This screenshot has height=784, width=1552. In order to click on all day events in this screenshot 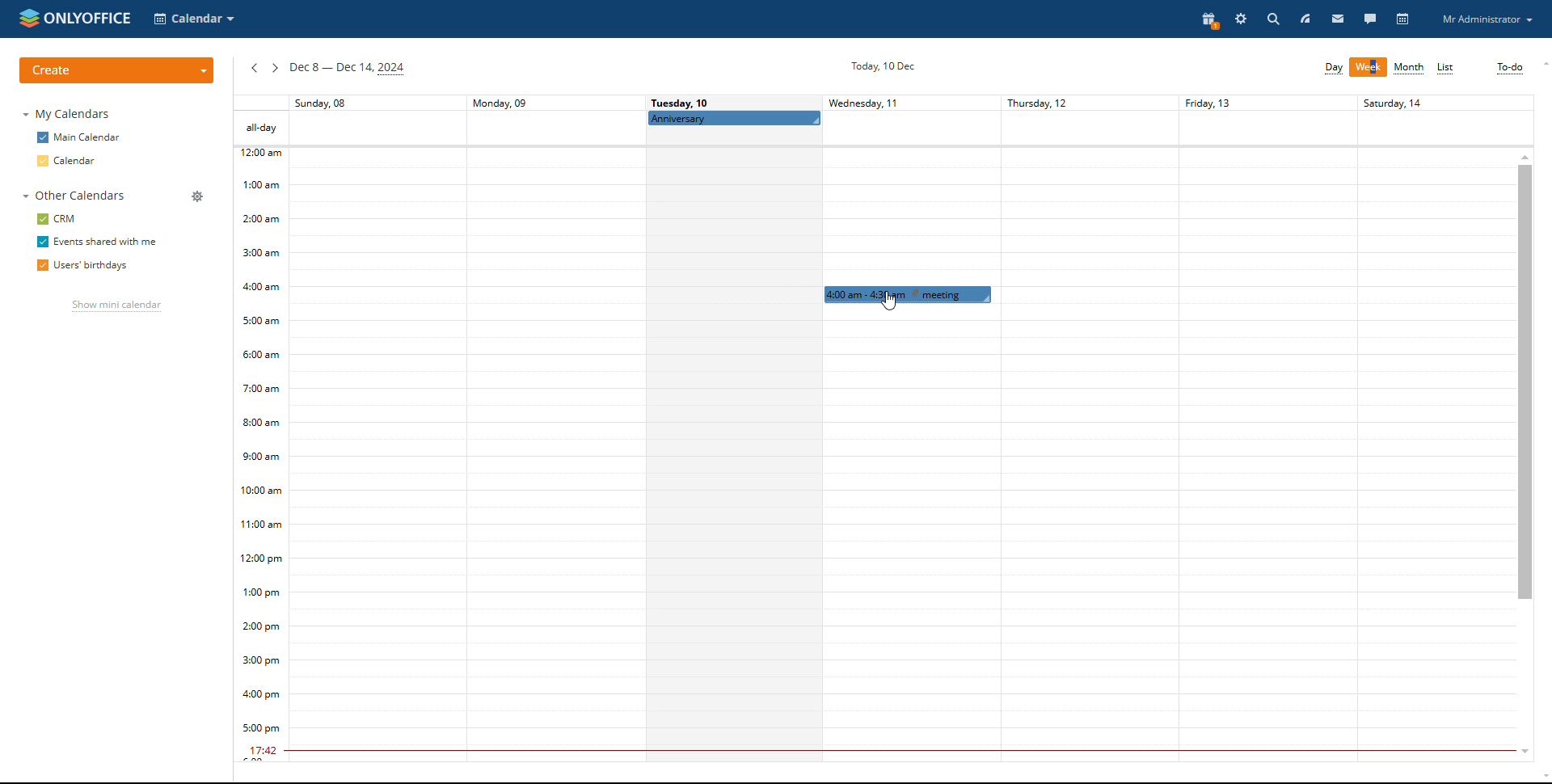, I will do `click(883, 128)`.